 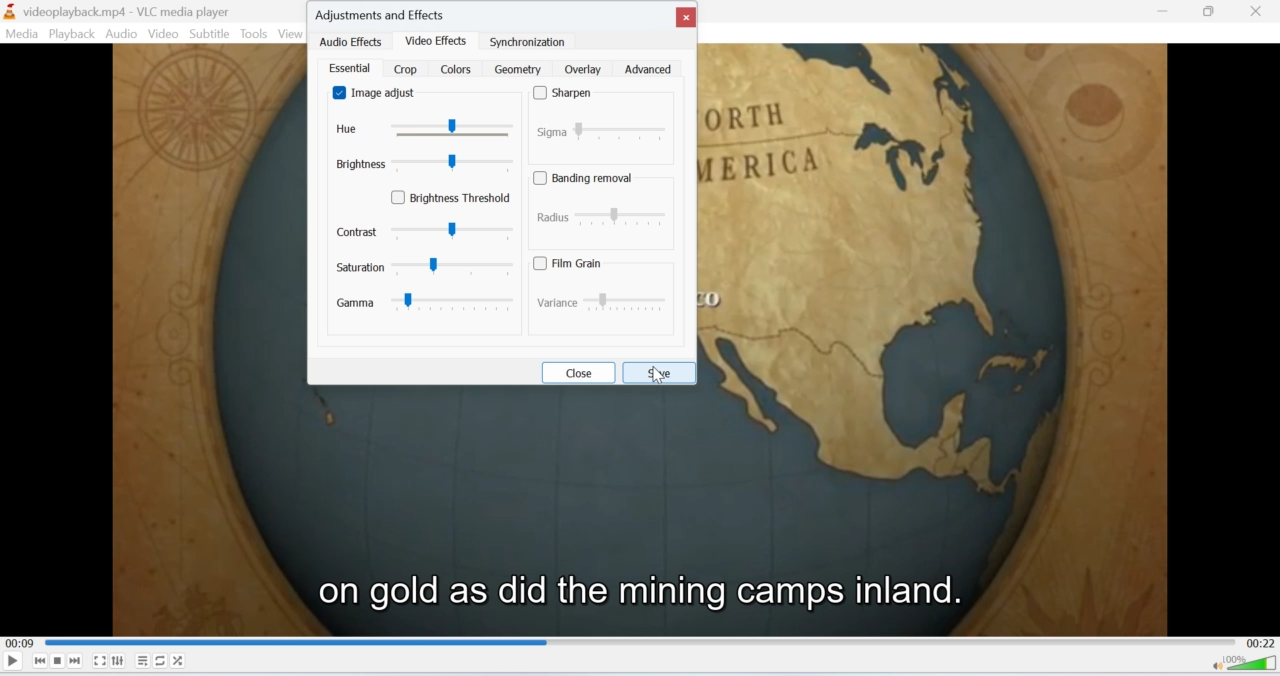 What do you see at coordinates (437, 39) in the screenshot?
I see `video effects` at bounding box center [437, 39].